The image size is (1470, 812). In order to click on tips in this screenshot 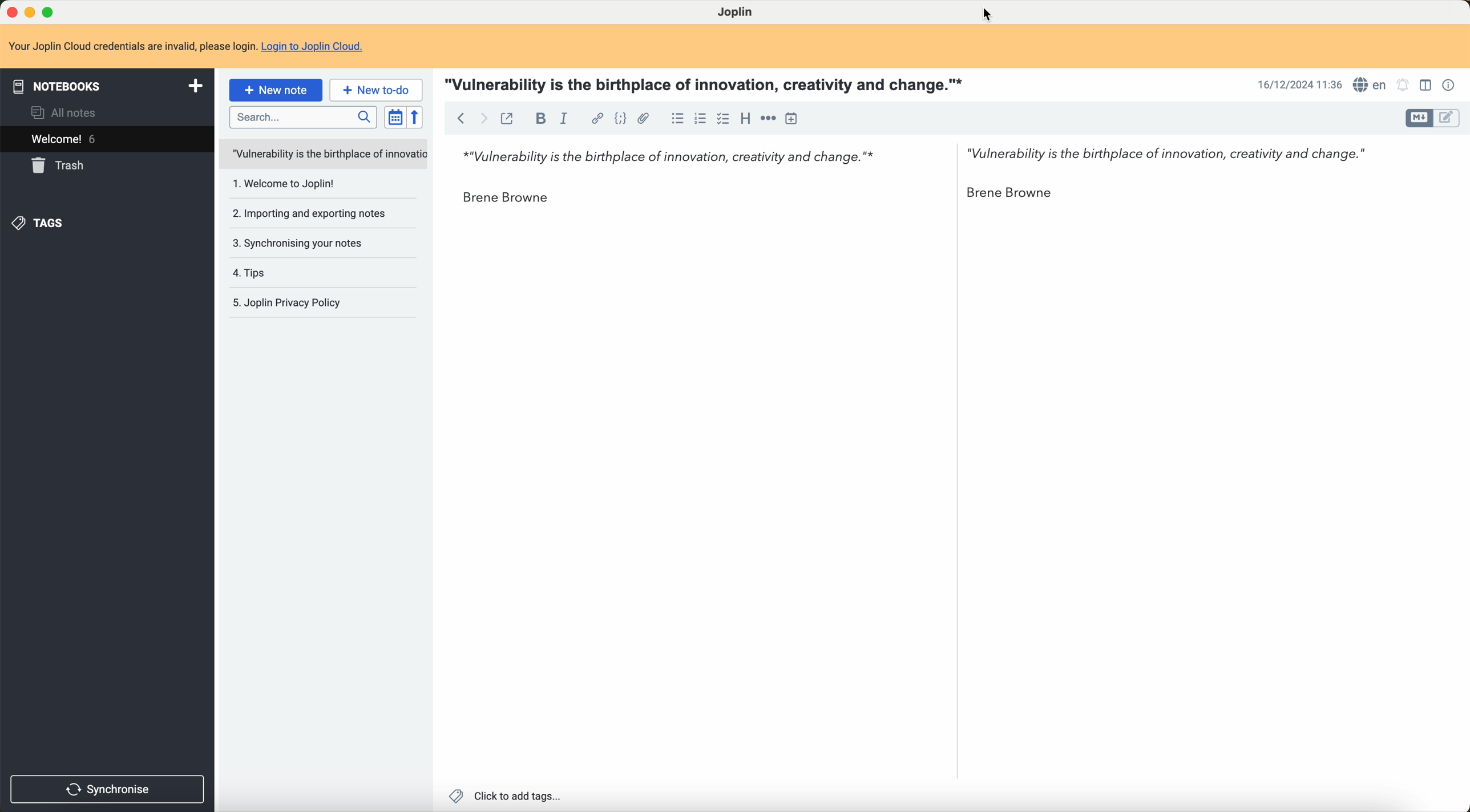, I will do `click(256, 271)`.